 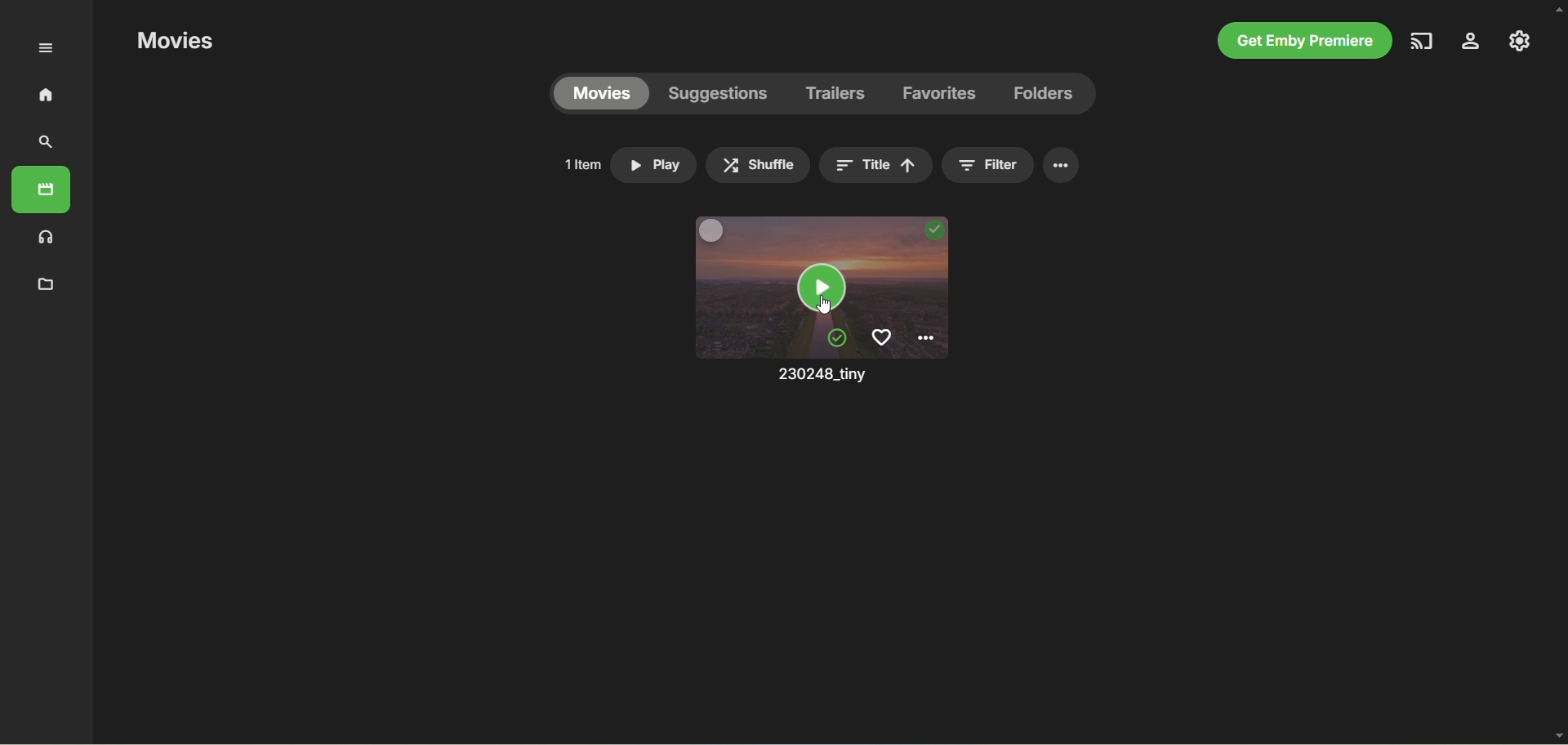 What do you see at coordinates (654, 166) in the screenshot?
I see `play` at bounding box center [654, 166].